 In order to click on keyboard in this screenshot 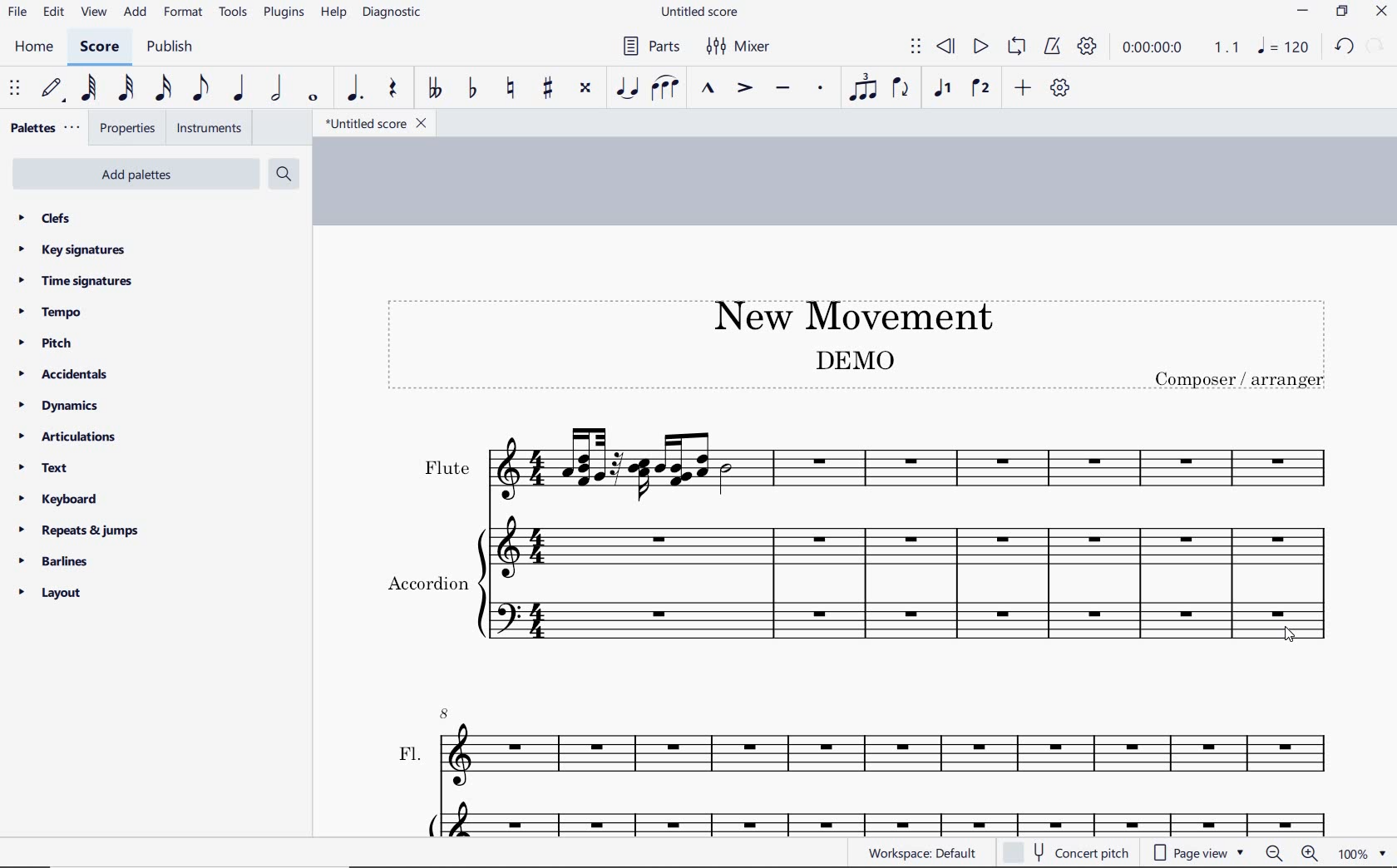, I will do `click(59, 499)`.